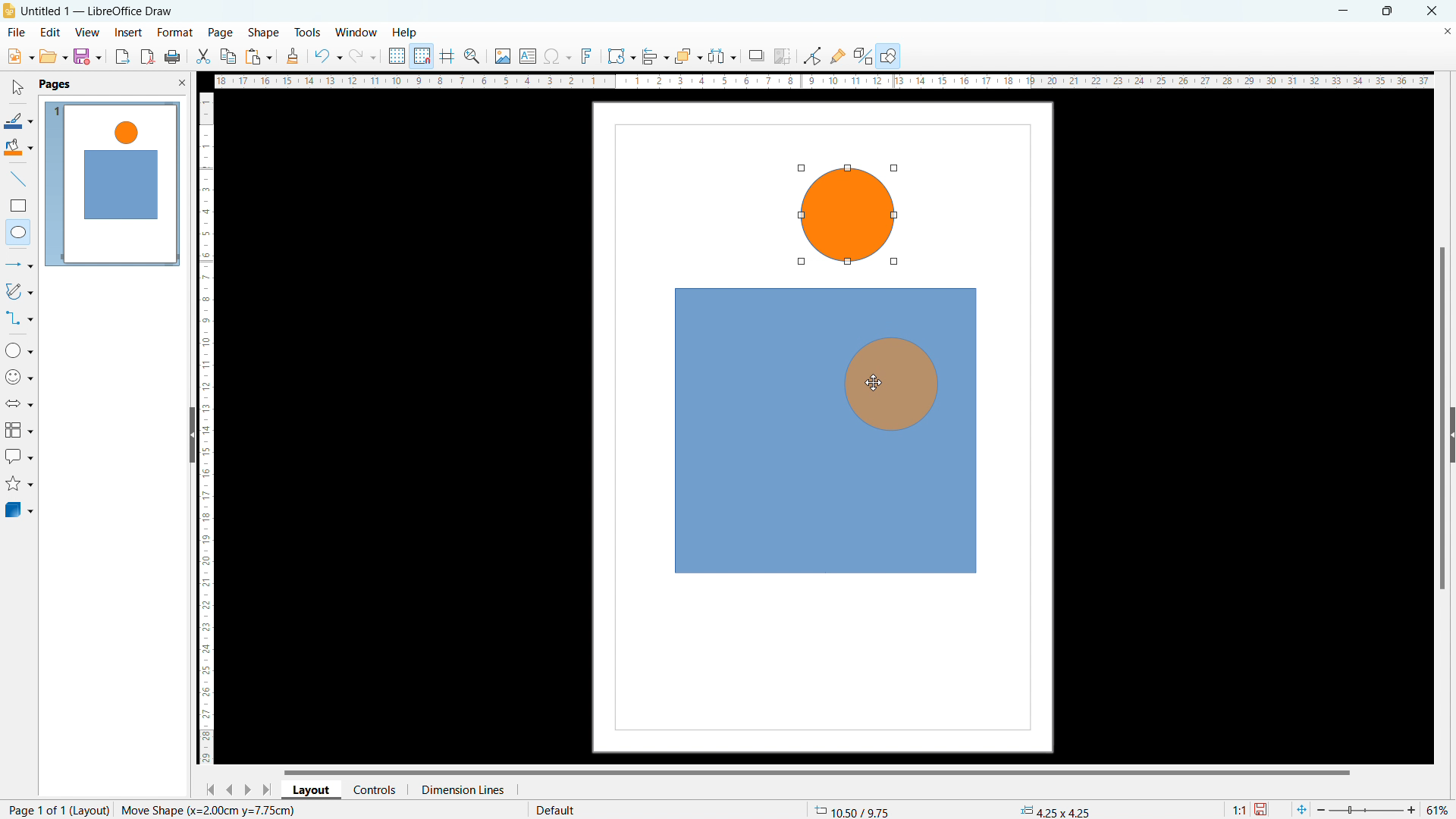 The image size is (1456, 819). Describe the element at coordinates (20, 377) in the screenshot. I see `symbol shapes` at that location.